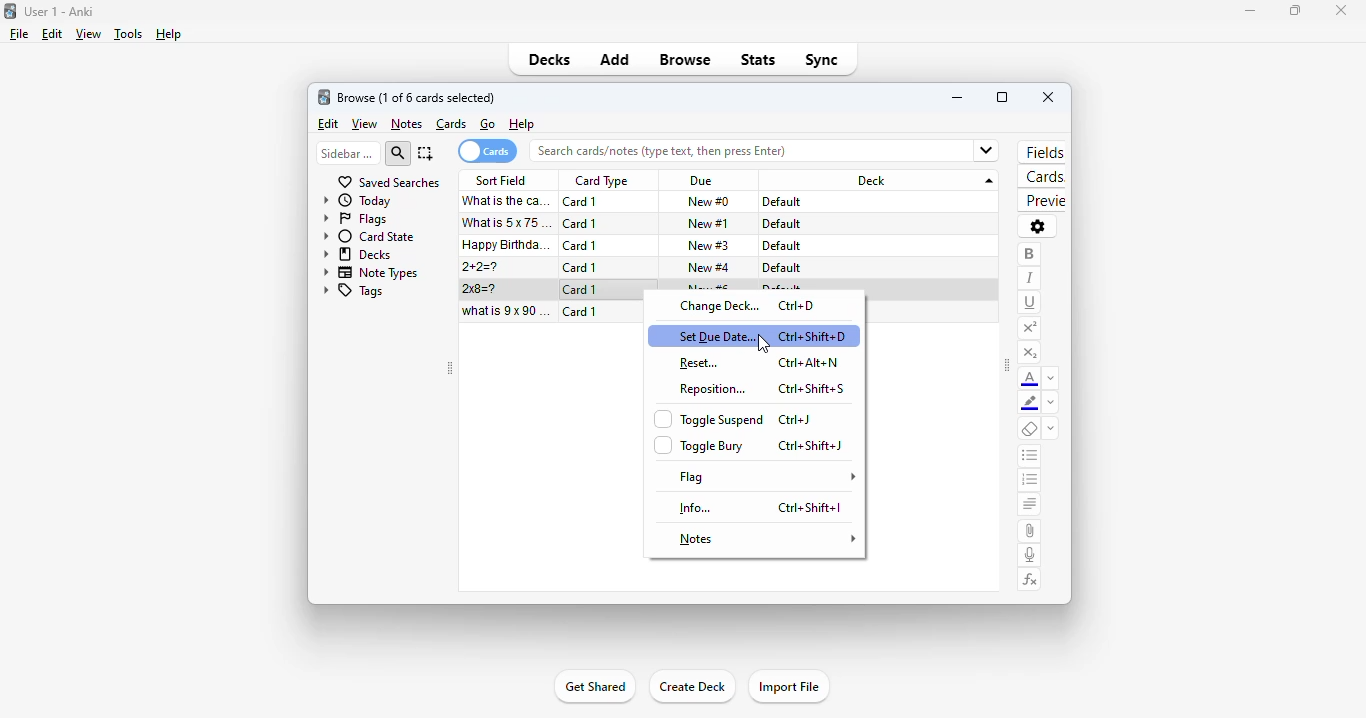 The height and width of the screenshot is (718, 1366). What do you see at coordinates (1030, 404) in the screenshot?
I see `text highlighting color` at bounding box center [1030, 404].